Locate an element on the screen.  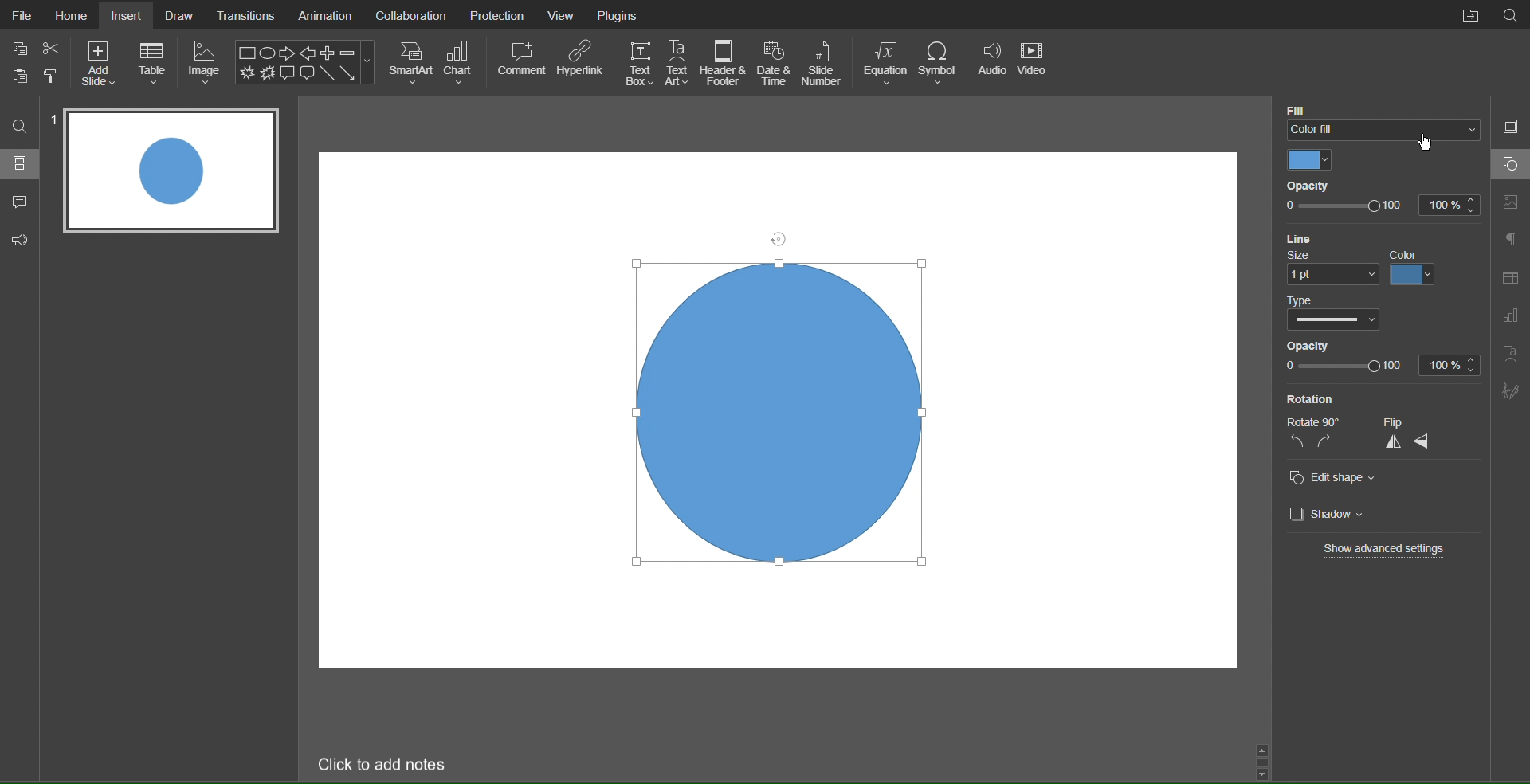
Draw is located at coordinates (181, 14).